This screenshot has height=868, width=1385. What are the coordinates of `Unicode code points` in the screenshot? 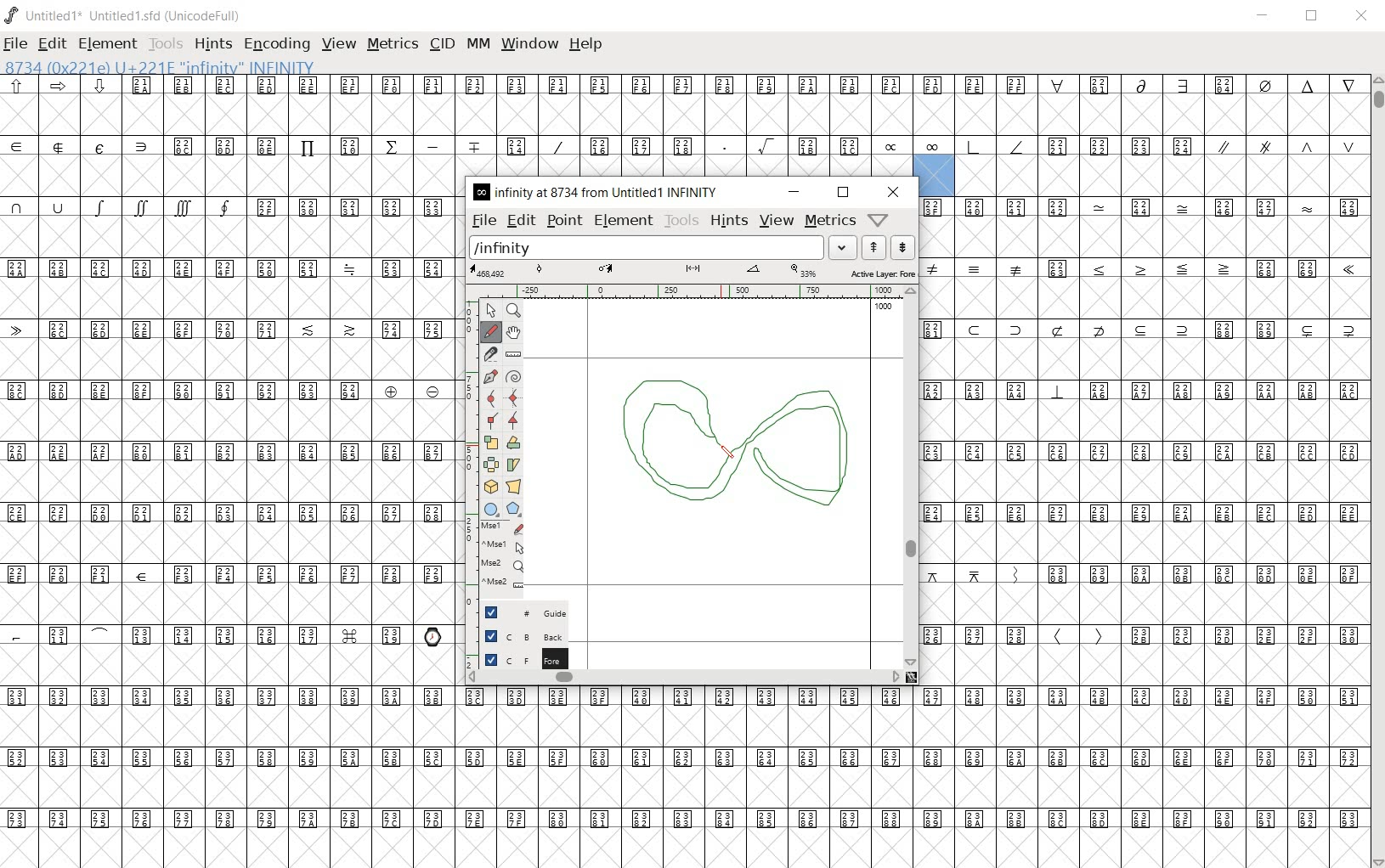 It's located at (229, 268).